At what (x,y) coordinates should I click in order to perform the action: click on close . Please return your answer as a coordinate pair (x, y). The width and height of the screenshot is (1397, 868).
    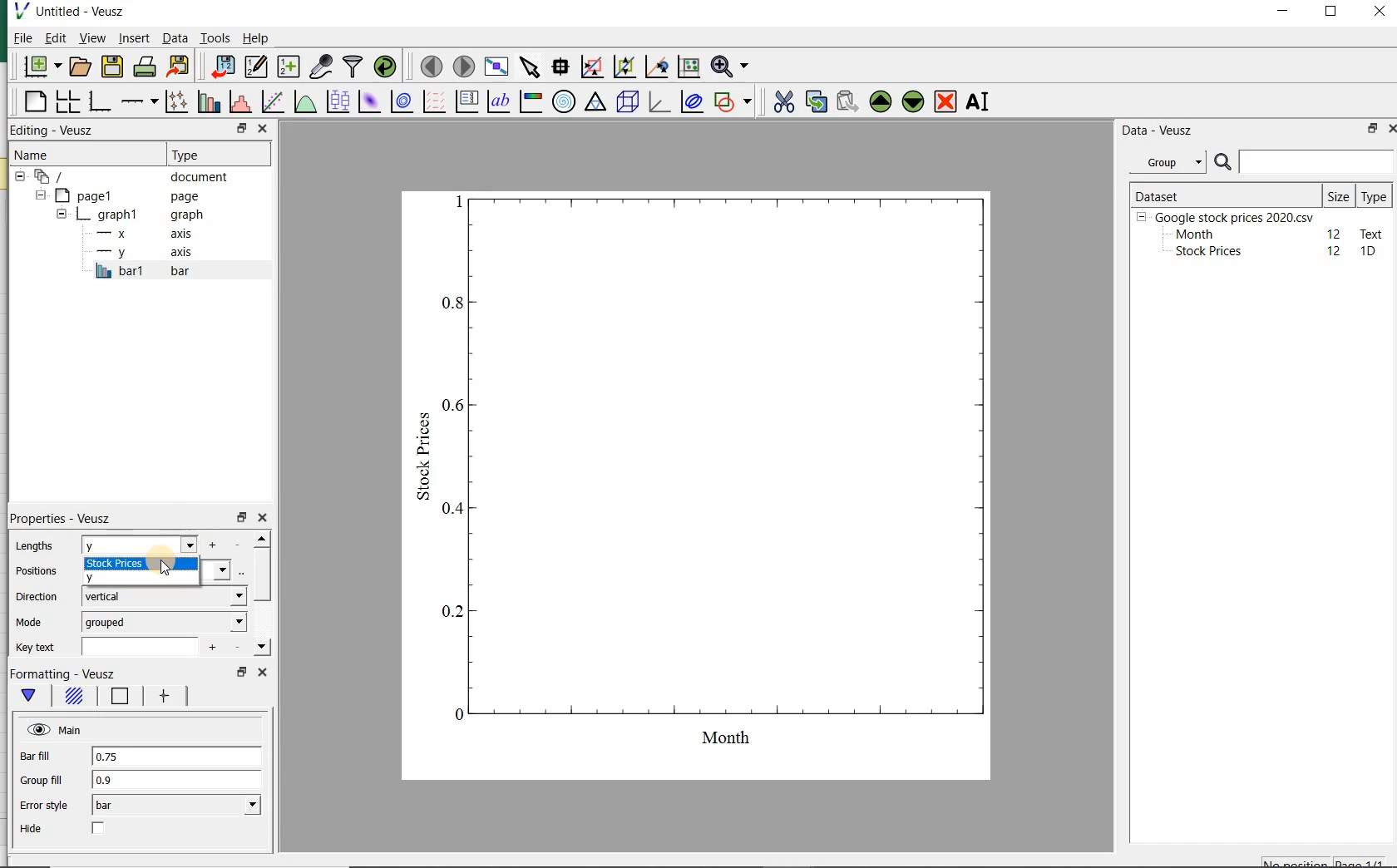
    Looking at the image, I should click on (1396, 129).